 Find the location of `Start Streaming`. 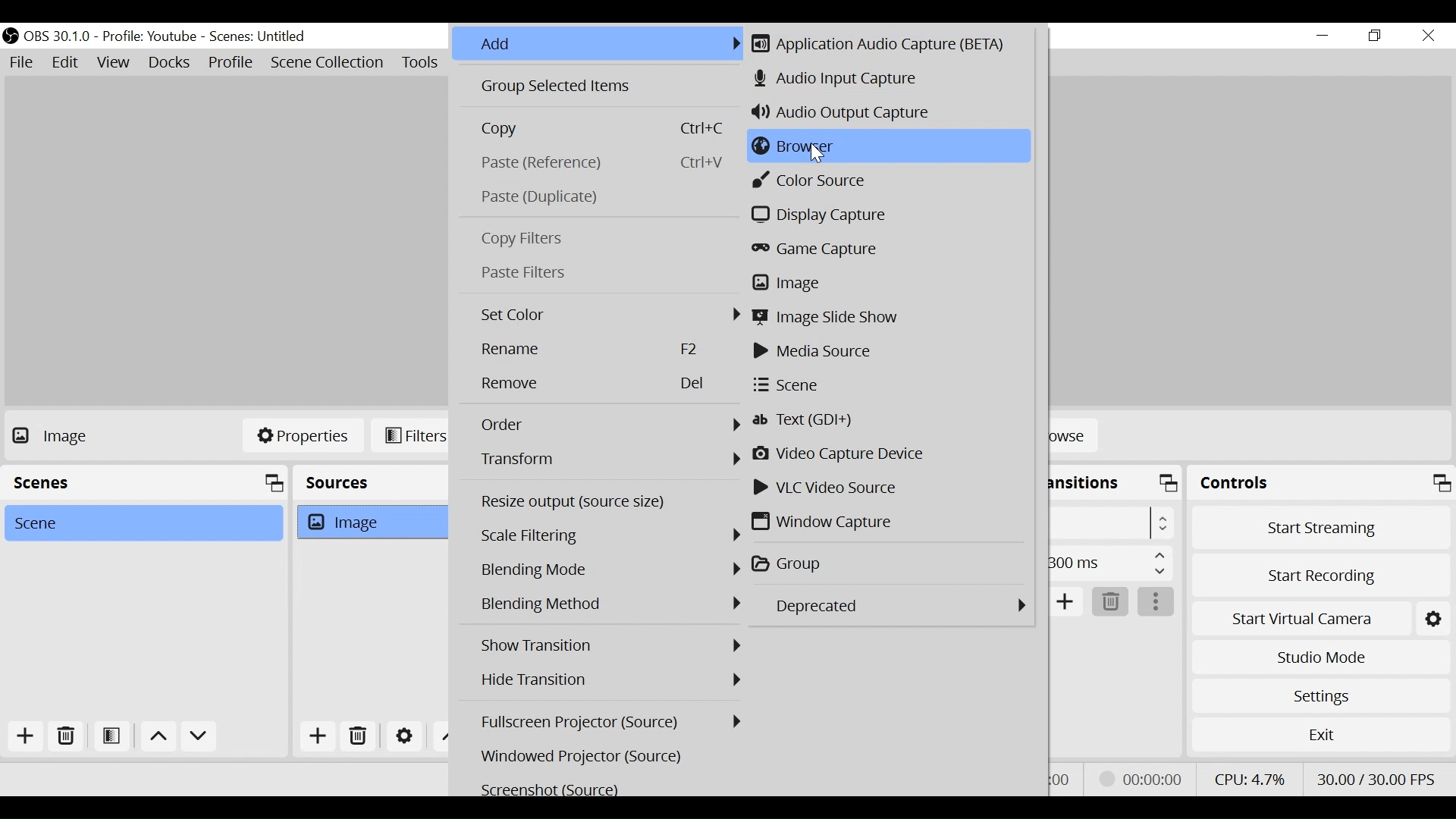

Start Streaming is located at coordinates (1320, 529).